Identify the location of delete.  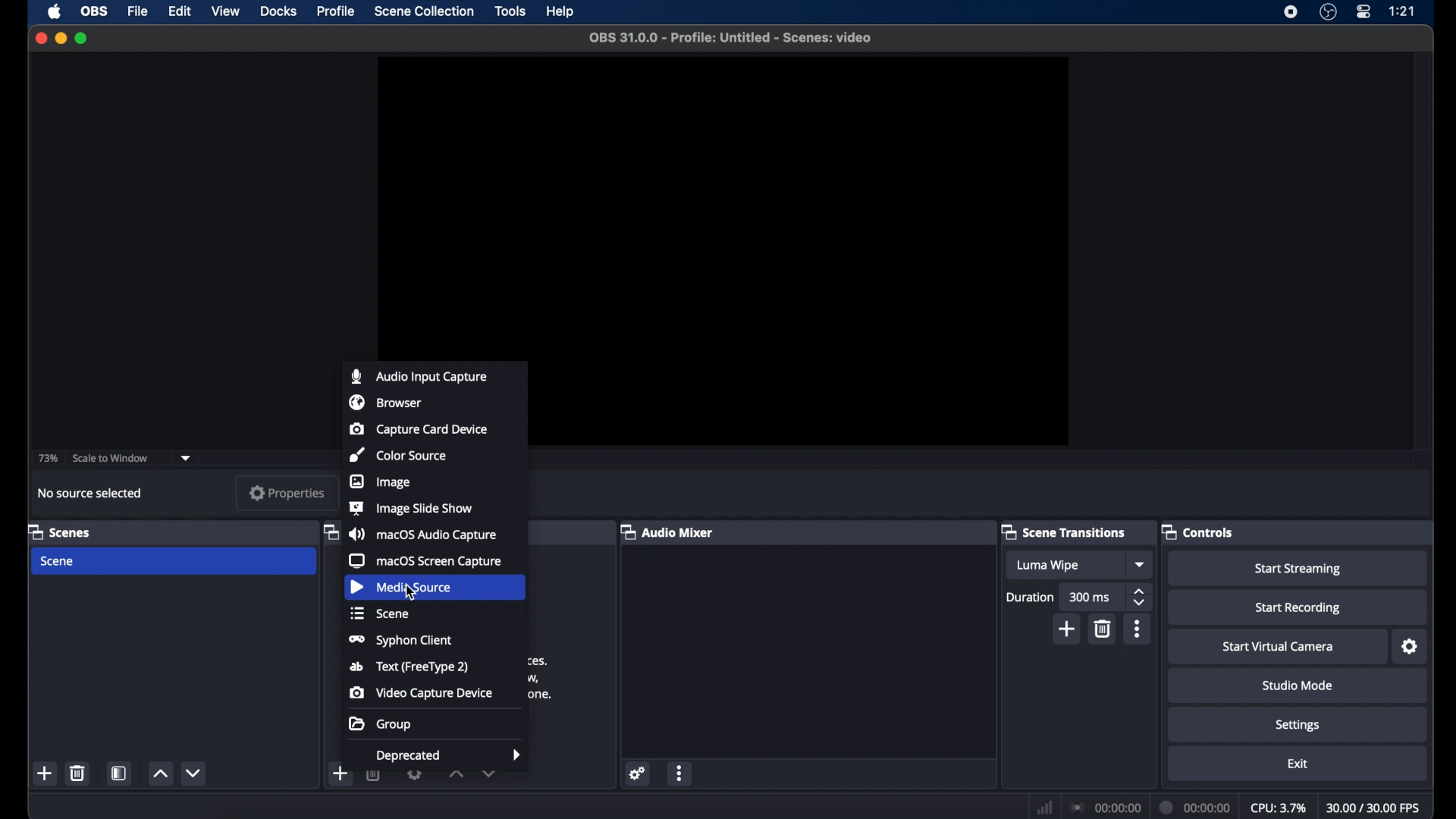
(1103, 629).